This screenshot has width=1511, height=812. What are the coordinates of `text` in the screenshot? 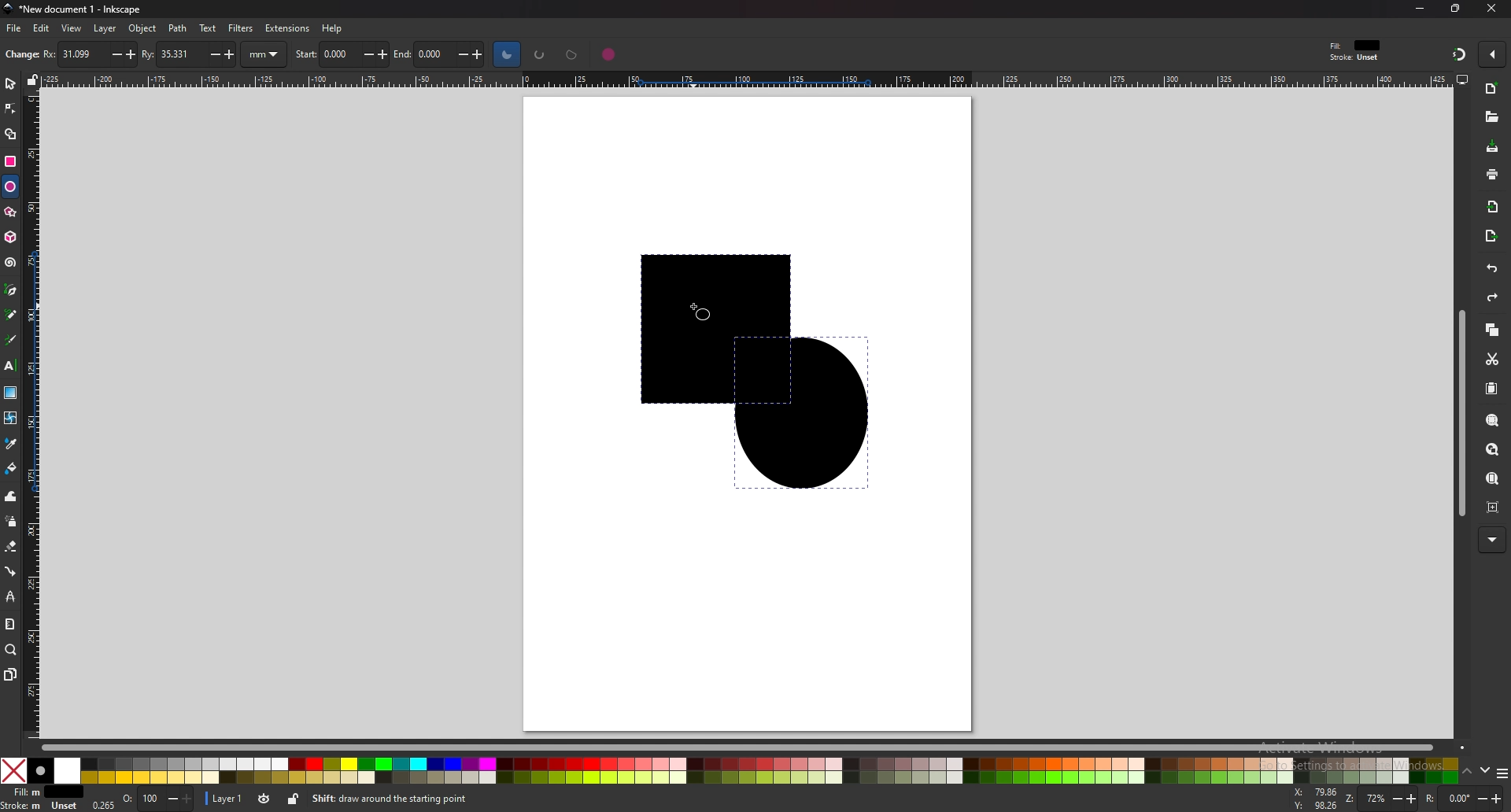 It's located at (208, 28).